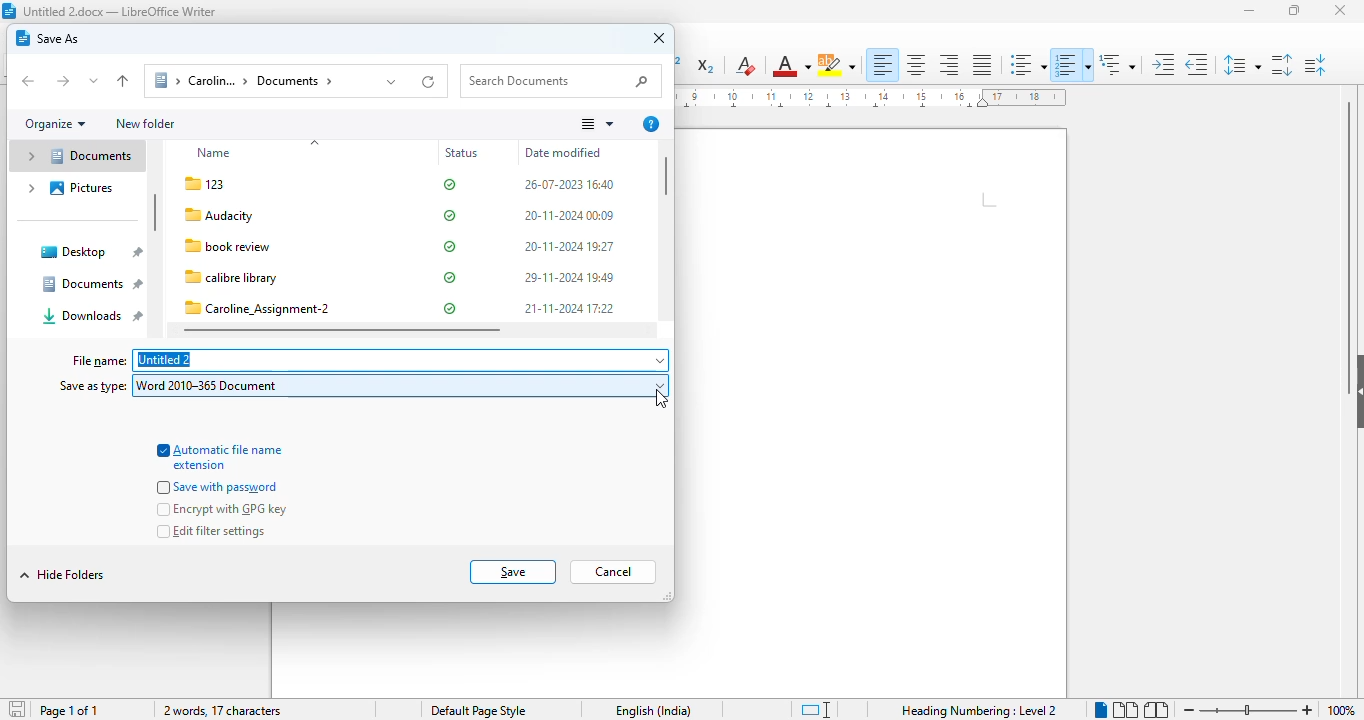  I want to click on show, so click(1355, 387).